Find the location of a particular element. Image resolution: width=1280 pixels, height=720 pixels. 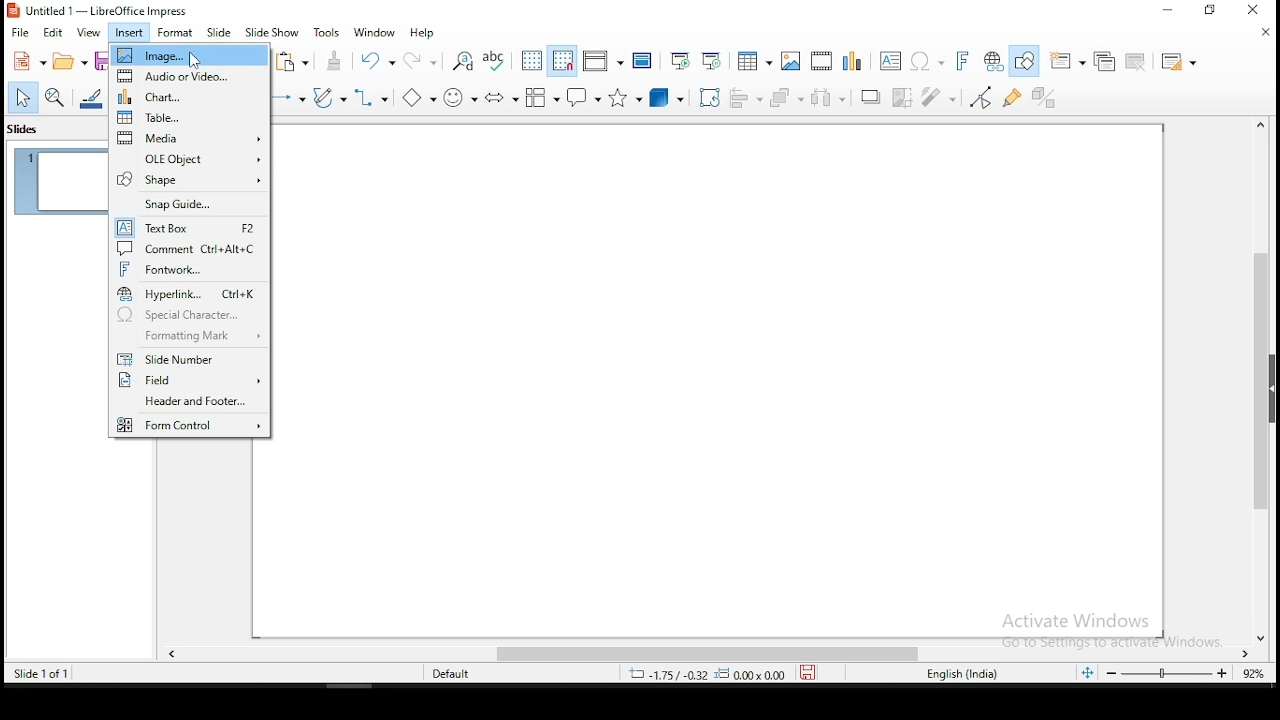

select tool is located at coordinates (23, 99).